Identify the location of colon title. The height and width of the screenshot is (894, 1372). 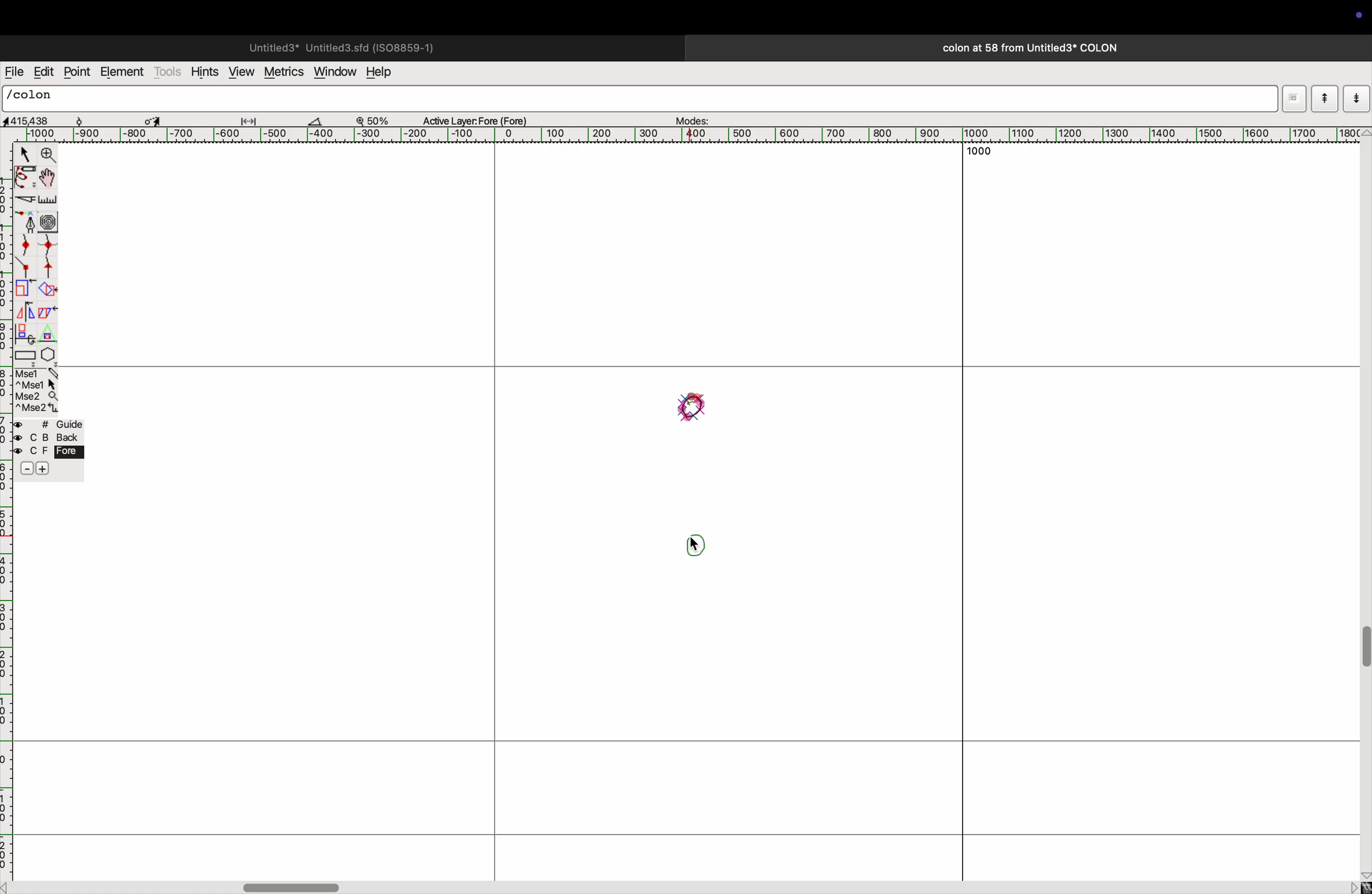
(1025, 48).